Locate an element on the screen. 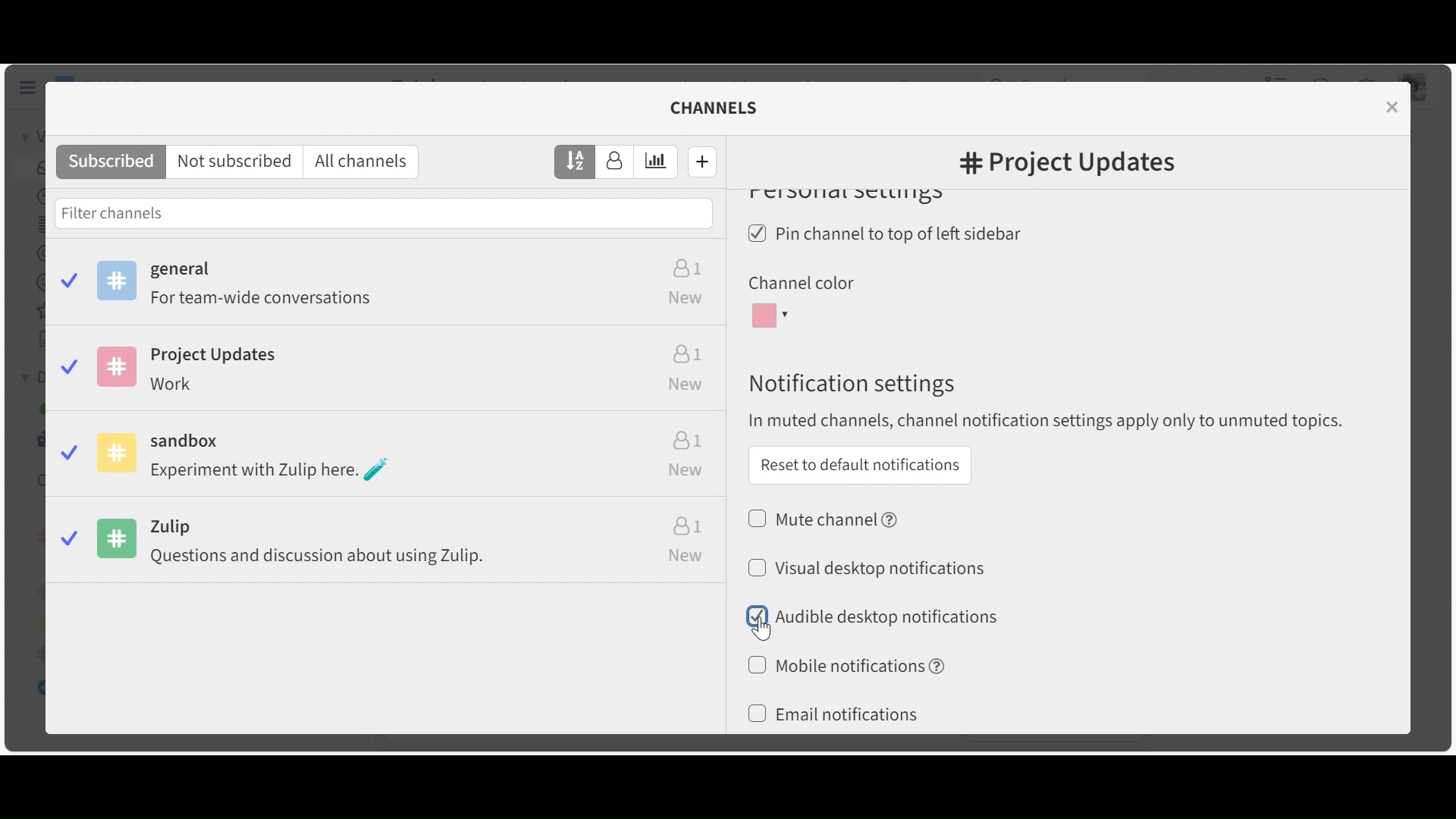 This screenshot has width=1456, height=819. Zulip is located at coordinates (390, 544).